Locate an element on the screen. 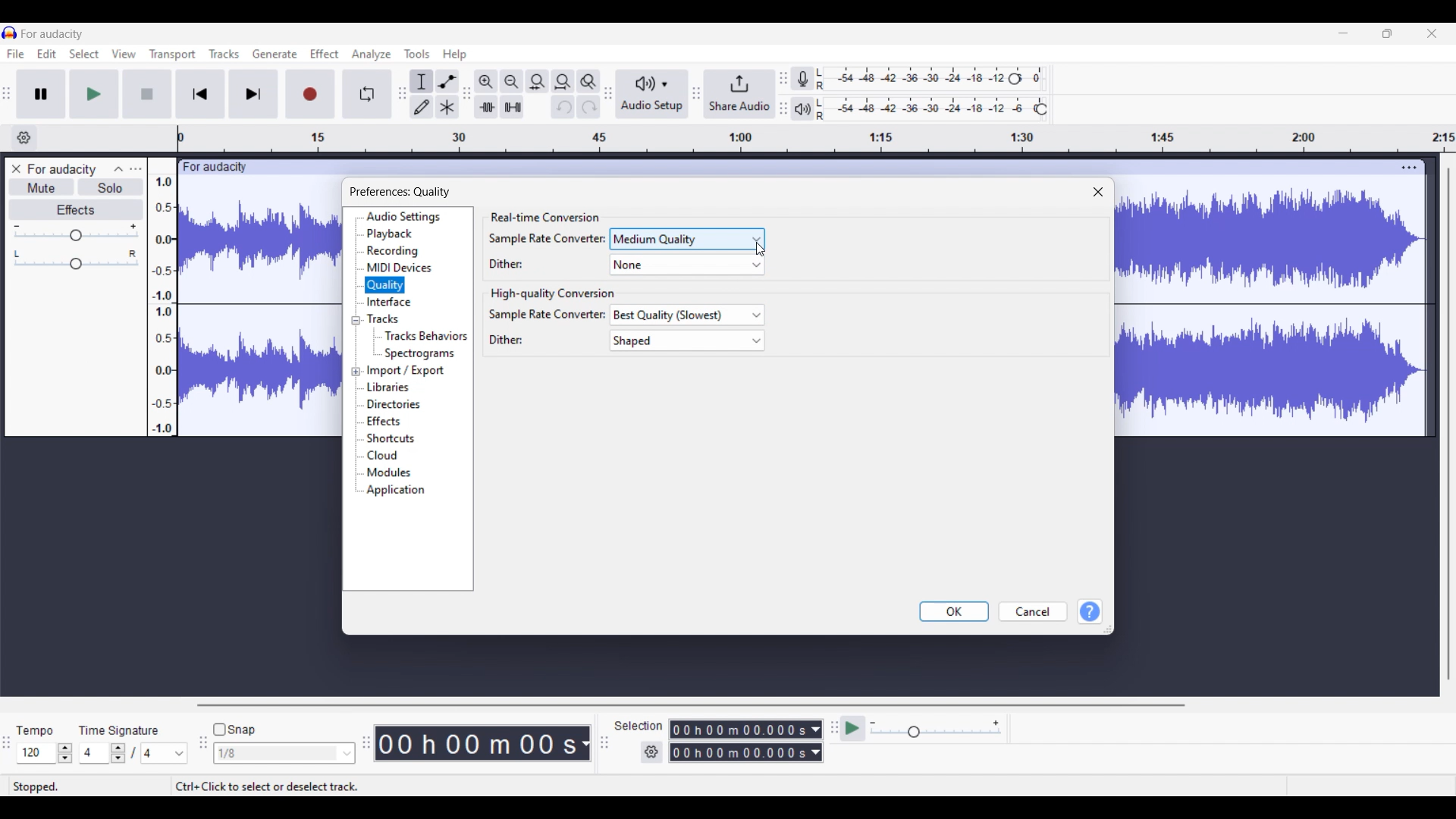 The image size is (1456, 819). Redo is located at coordinates (588, 107).